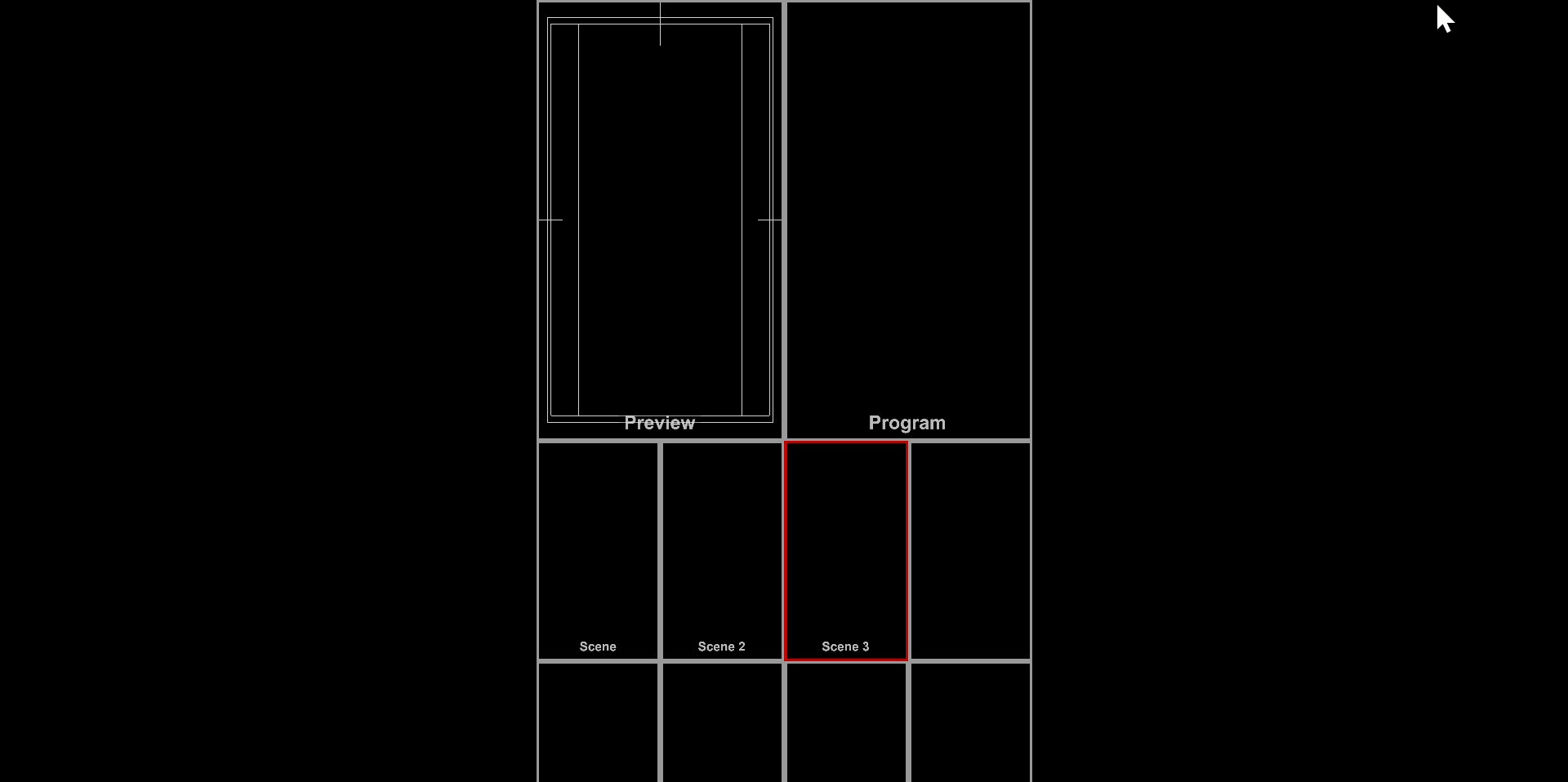 The width and height of the screenshot is (1568, 782). What do you see at coordinates (662, 220) in the screenshot?
I see `Preview` at bounding box center [662, 220].